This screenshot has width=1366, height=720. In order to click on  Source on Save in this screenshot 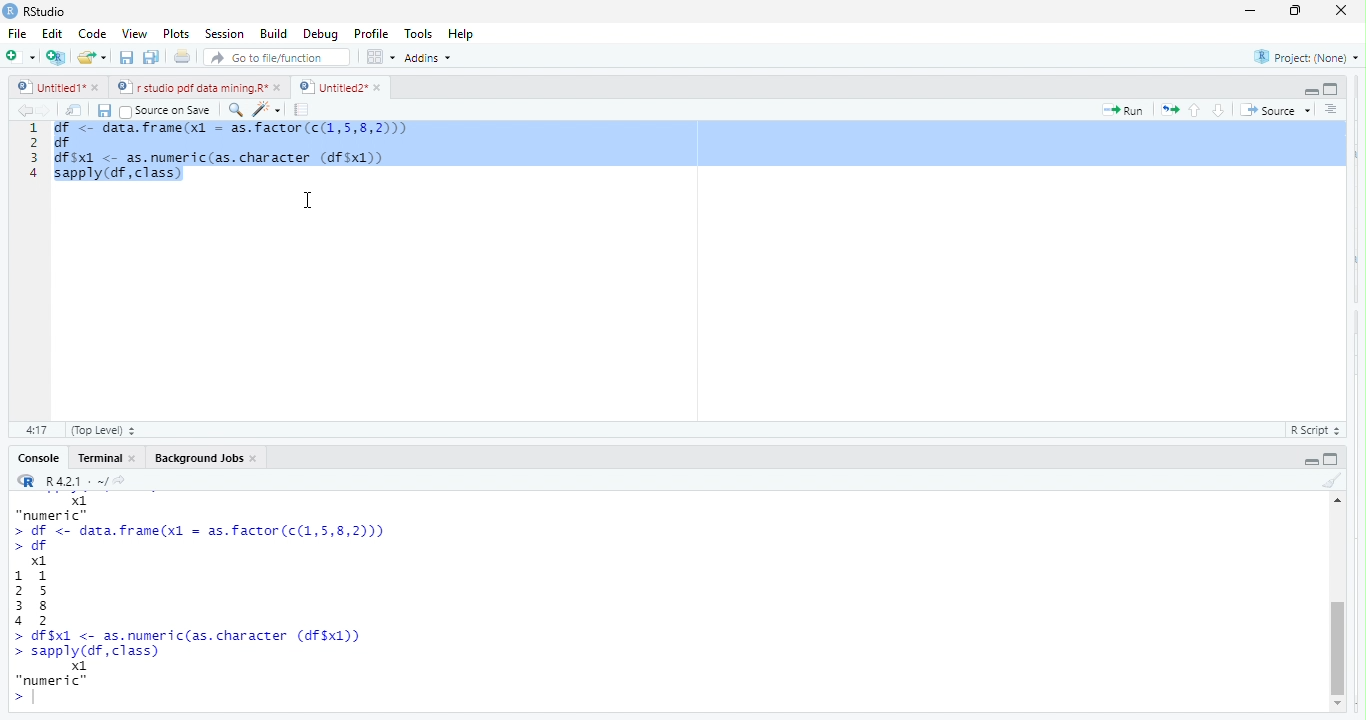, I will do `click(169, 110)`.